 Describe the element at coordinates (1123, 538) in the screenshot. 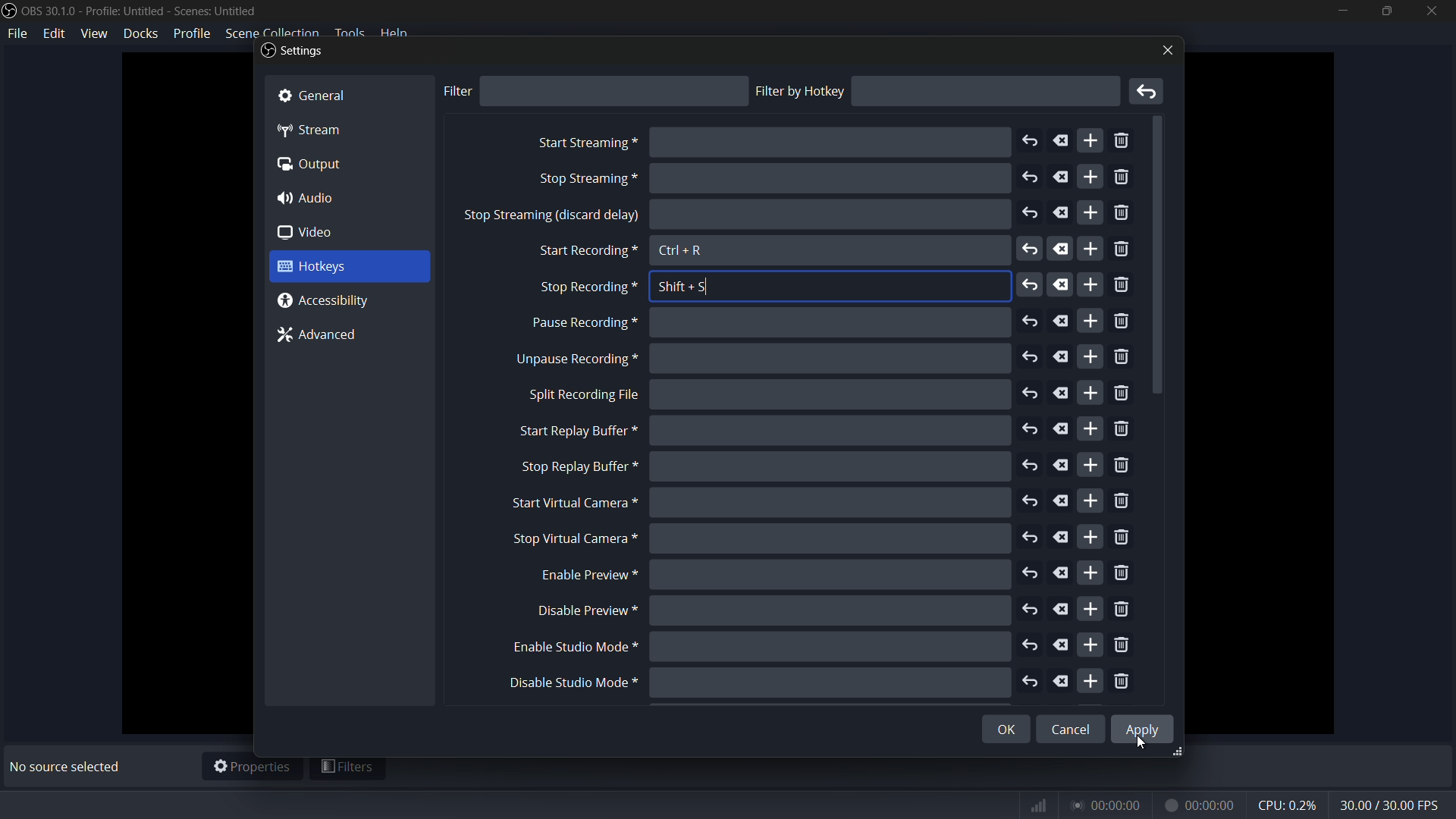

I see `remove` at that location.